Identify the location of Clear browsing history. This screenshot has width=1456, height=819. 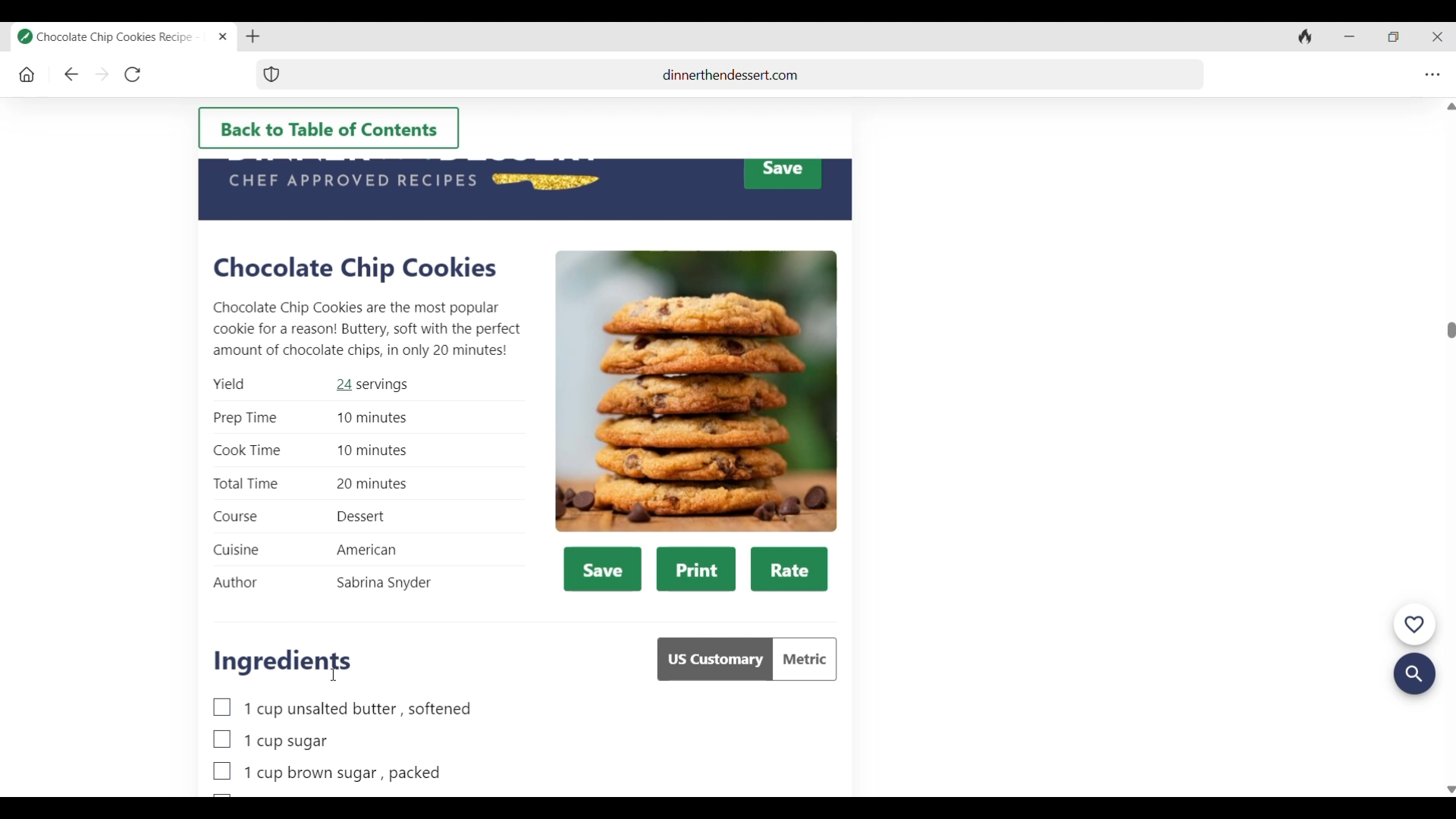
(1302, 38).